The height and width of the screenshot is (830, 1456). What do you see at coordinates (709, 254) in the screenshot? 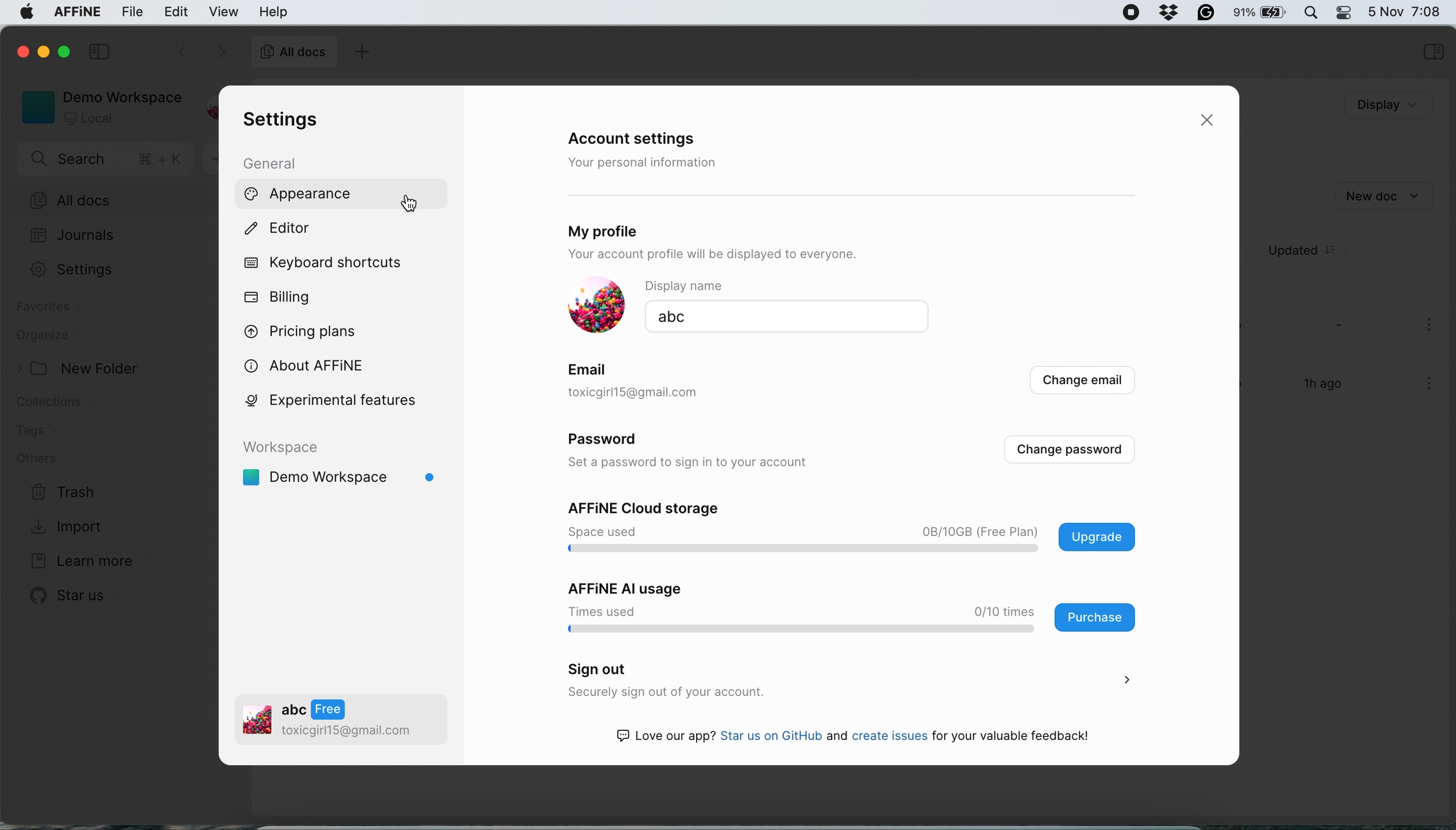
I see `your account profile will be displayed to everyone` at bounding box center [709, 254].